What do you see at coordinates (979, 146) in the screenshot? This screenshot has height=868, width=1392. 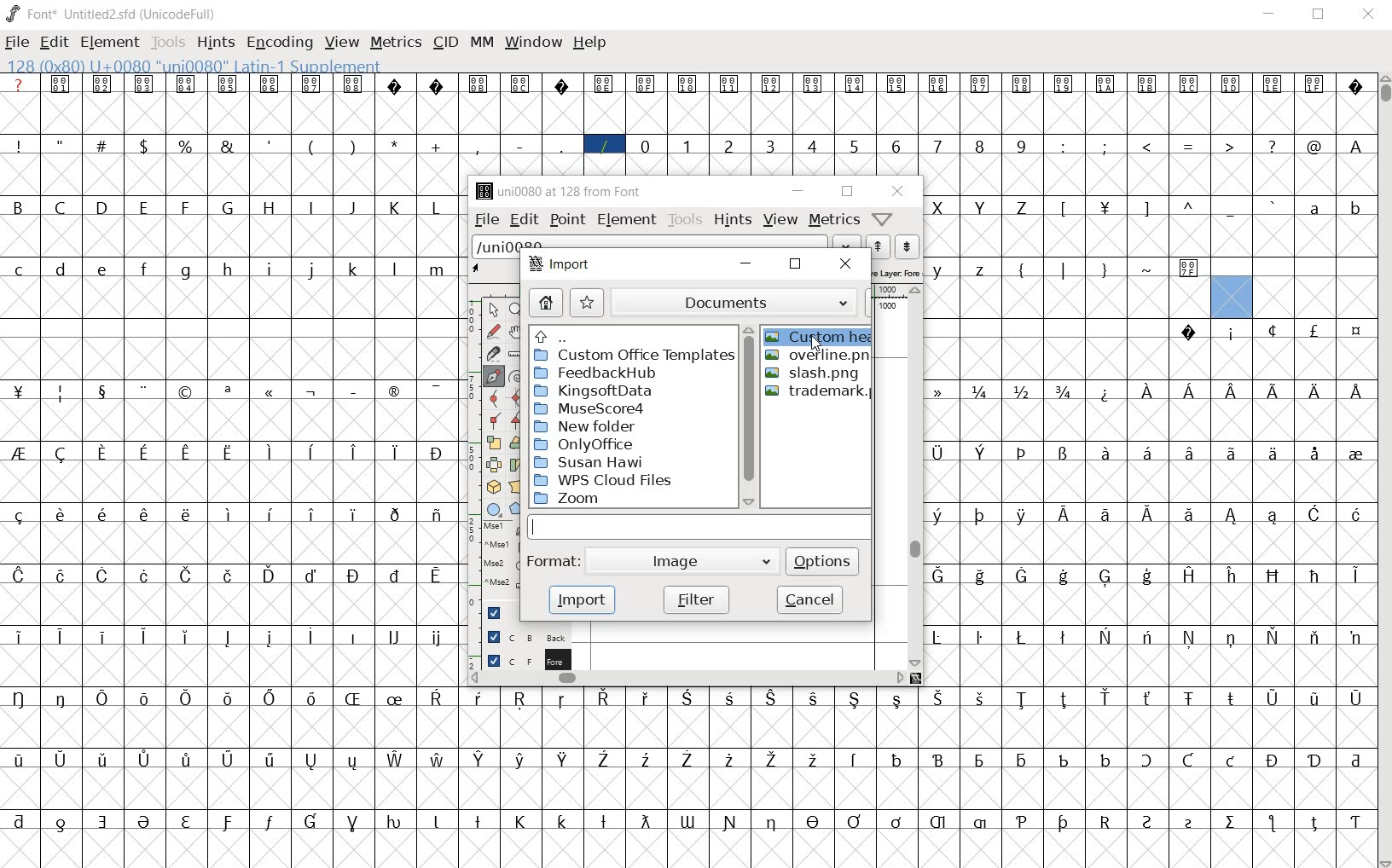 I see `glyph` at bounding box center [979, 146].